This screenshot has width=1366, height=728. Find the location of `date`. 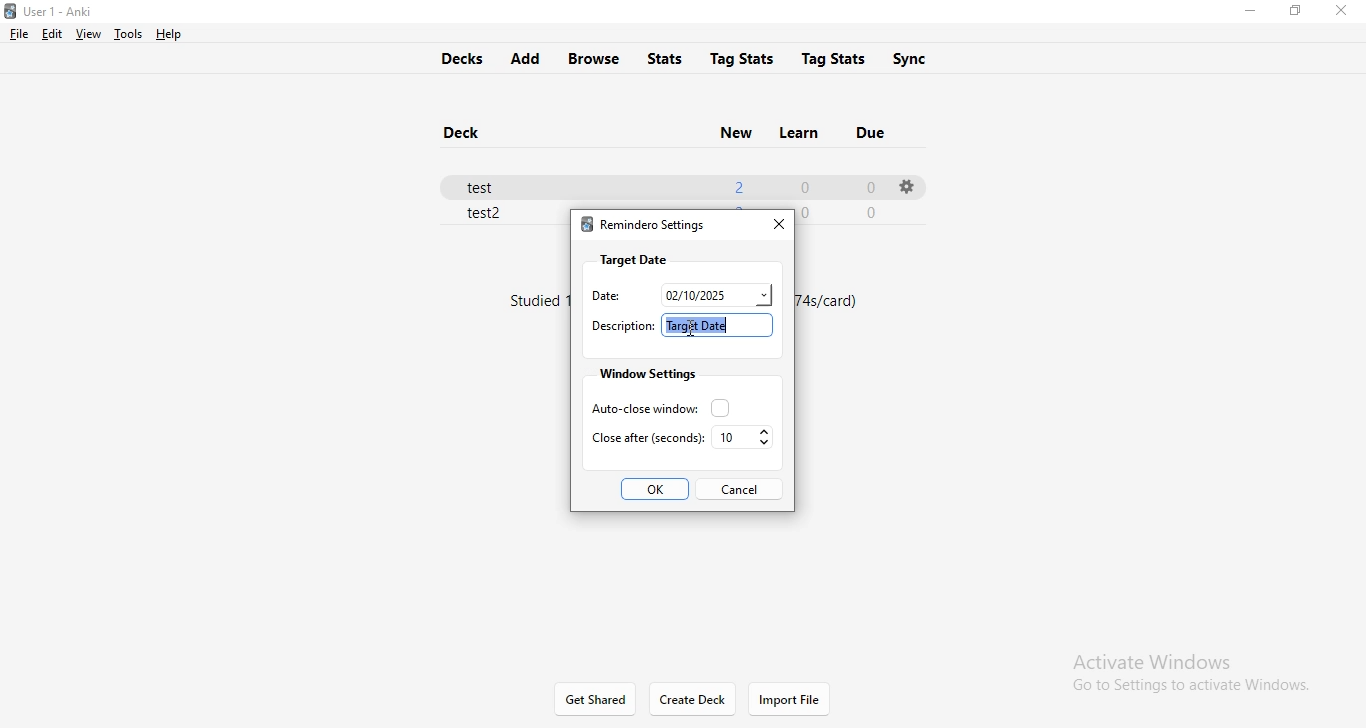

date is located at coordinates (601, 296).